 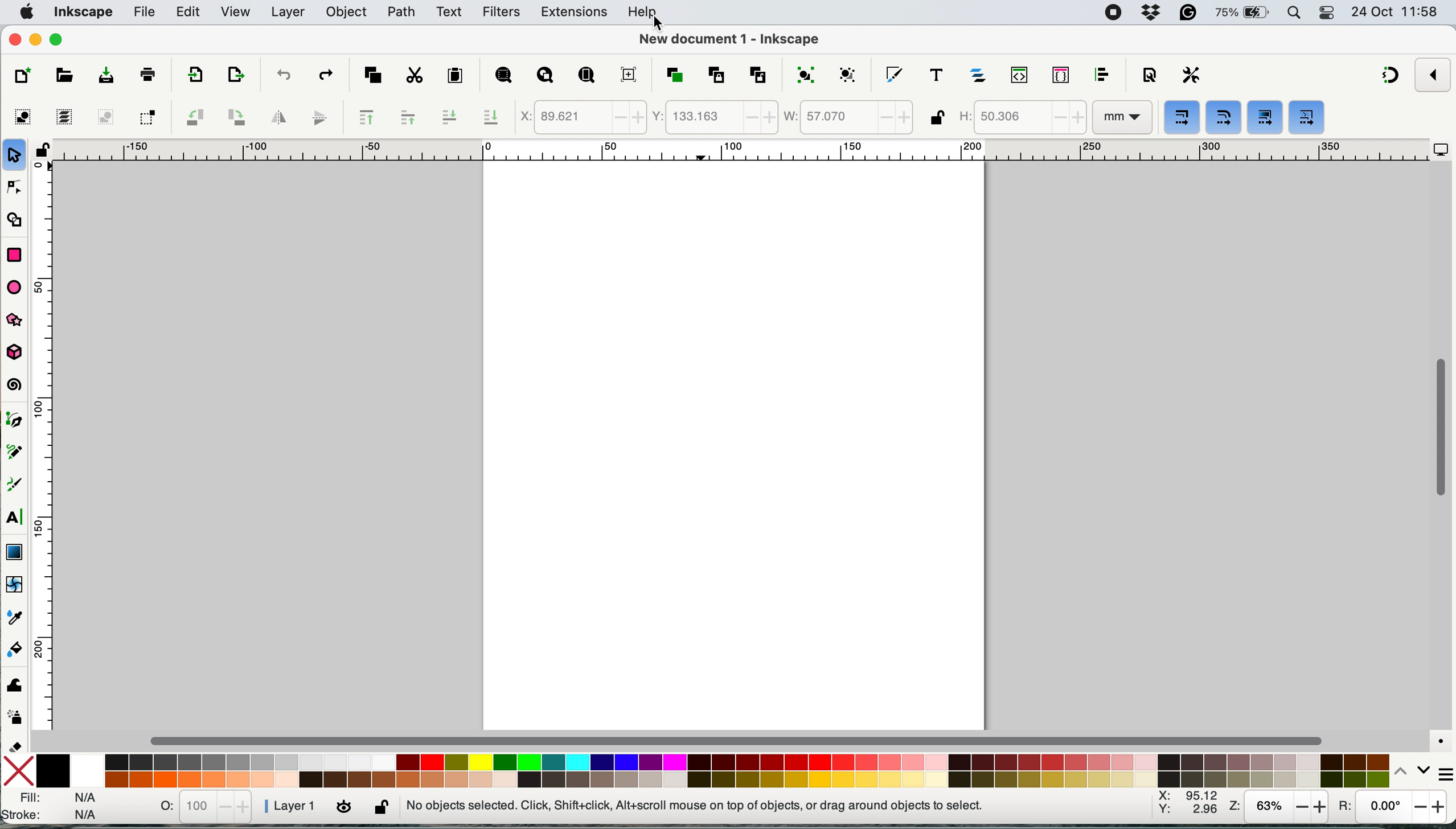 What do you see at coordinates (61, 75) in the screenshot?
I see `open` at bounding box center [61, 75].